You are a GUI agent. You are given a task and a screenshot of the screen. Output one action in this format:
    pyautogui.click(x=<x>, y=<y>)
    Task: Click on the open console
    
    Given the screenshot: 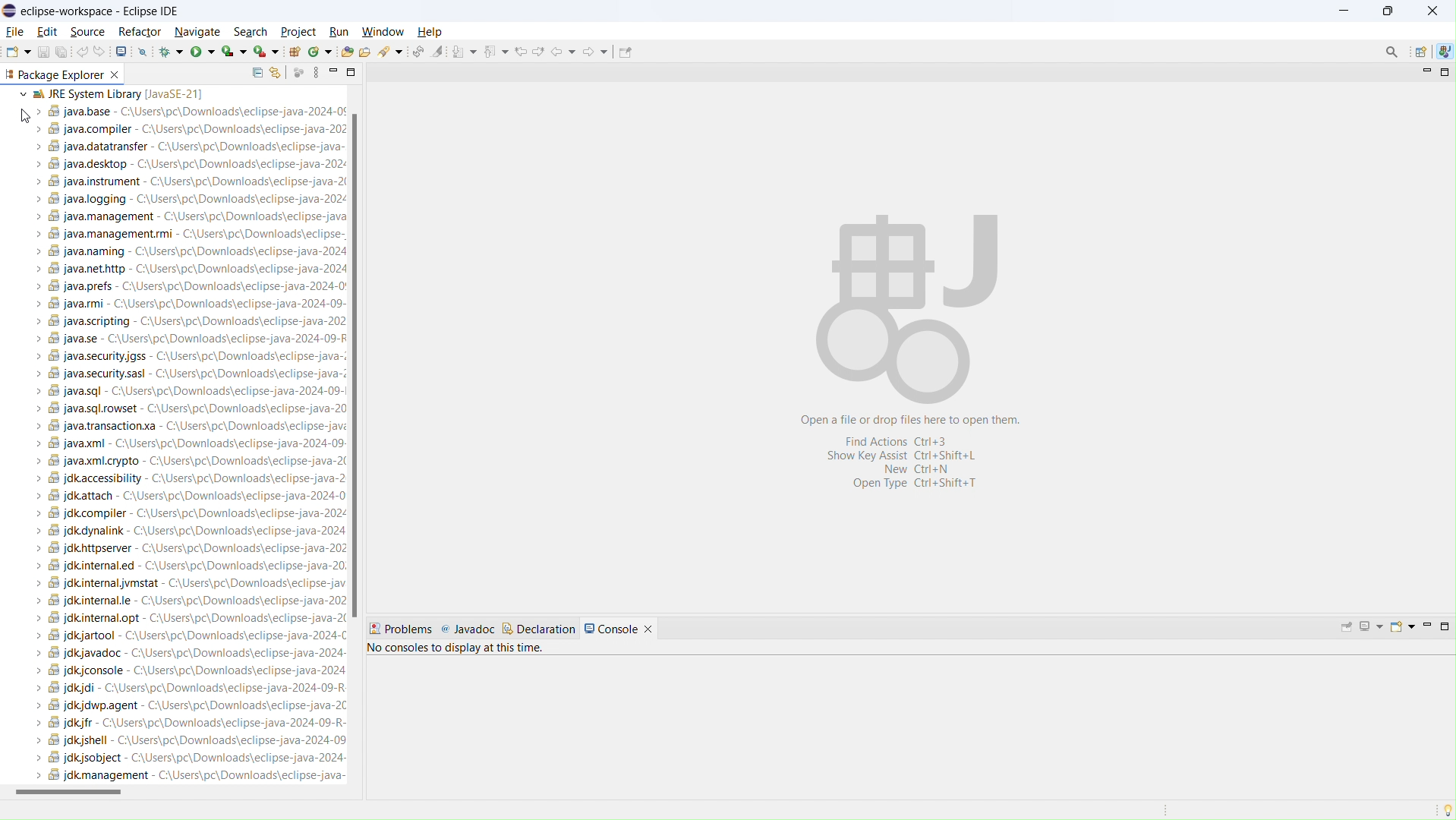 What is the action you would take?
    pyautogui.click(x=121, y=51)
    